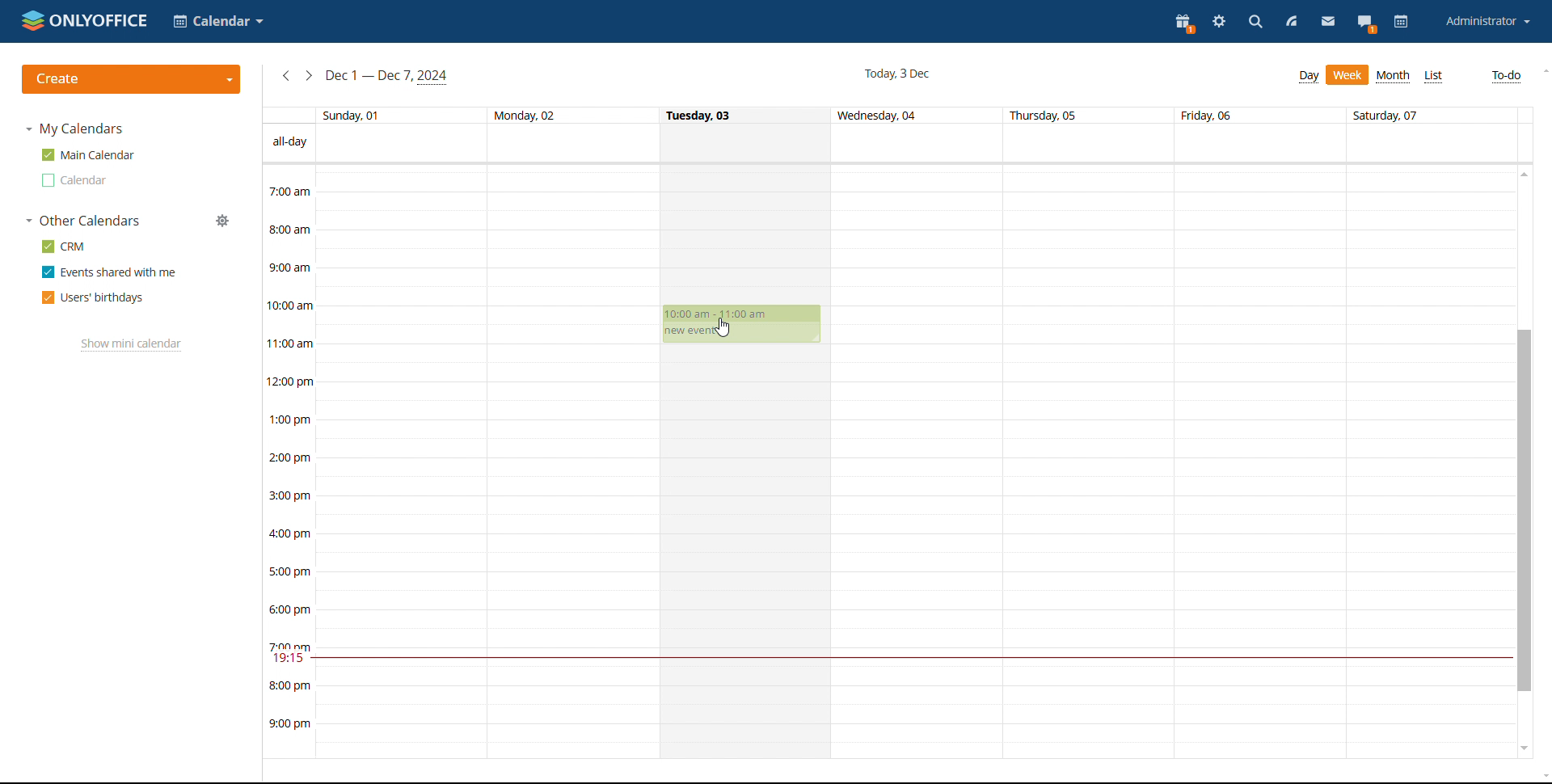  What do you see at coordinates (1487, 21) in the screenshot?
I see `Administrator` at bounding box center [1487, 21].